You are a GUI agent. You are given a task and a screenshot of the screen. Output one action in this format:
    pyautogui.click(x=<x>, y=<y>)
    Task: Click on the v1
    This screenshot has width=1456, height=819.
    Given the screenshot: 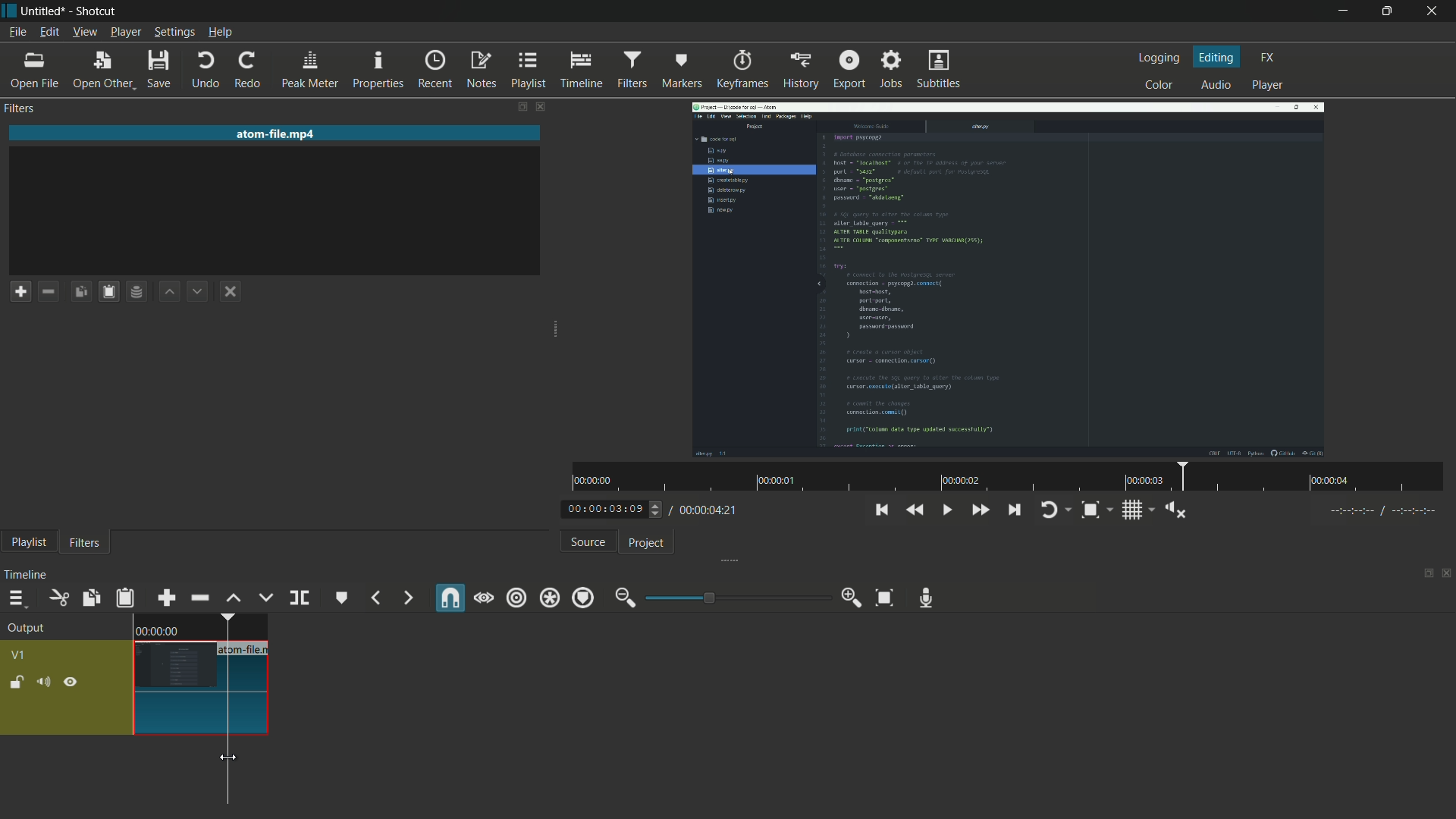 What is the action you would take?
    pyautogui.click(x=20, y=655)
    